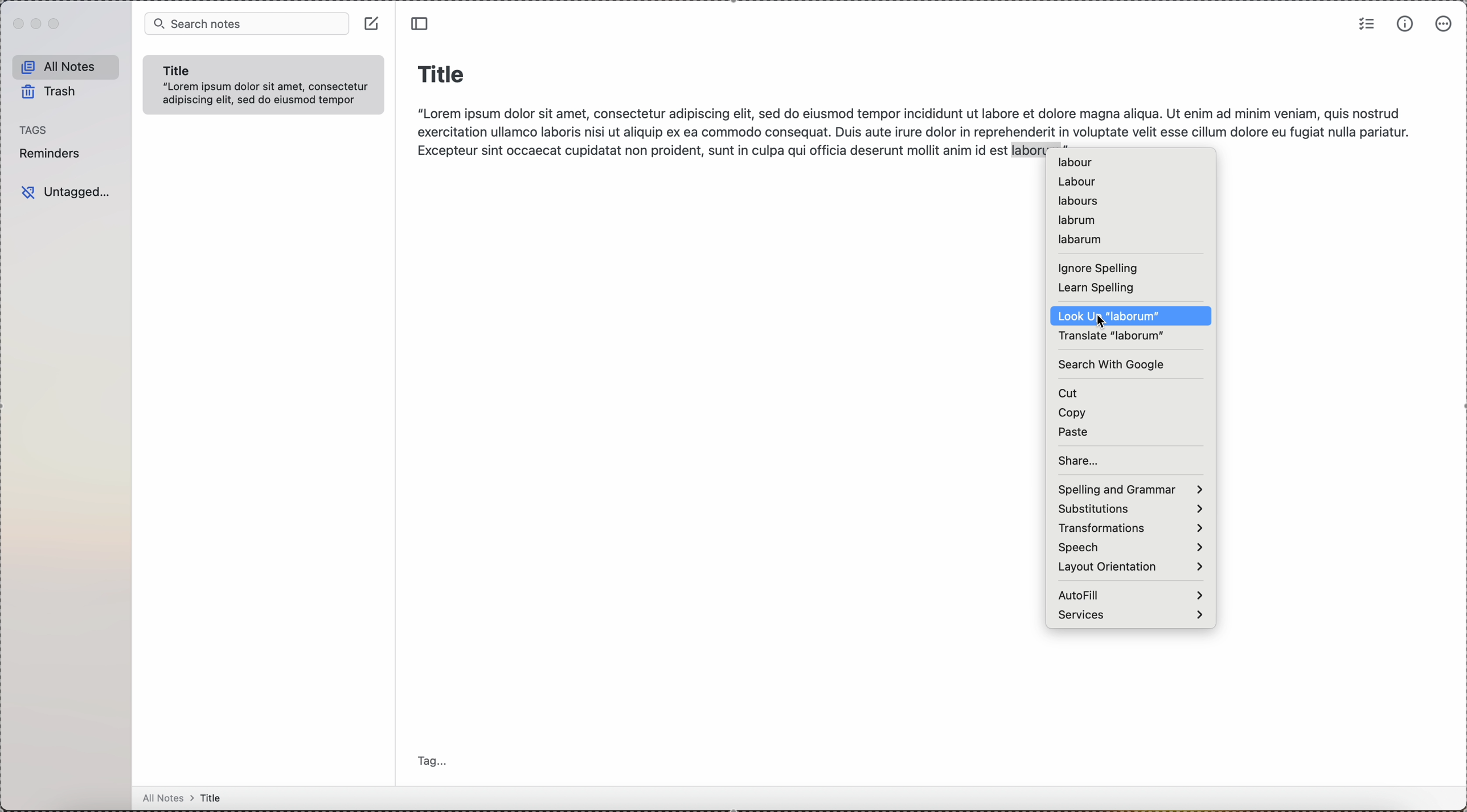 The width and height of the screenshot is (1467, 812). What do you see at coordinates (1084, 240) in the screenshot?
I see `labarum` at bounding box center [1084, 240].